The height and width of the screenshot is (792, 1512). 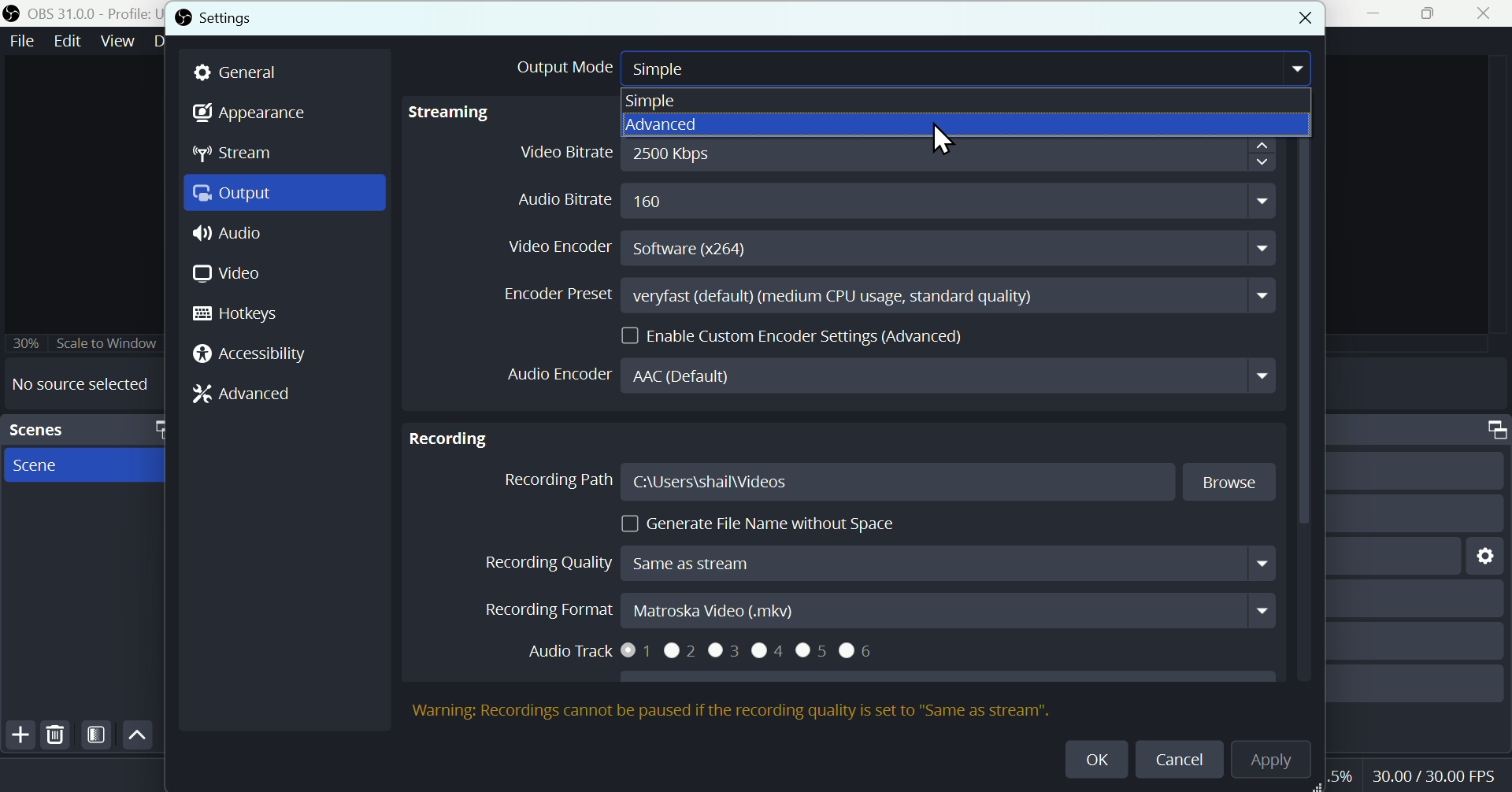 What do you see at coordinates (872, 200) in the screenshot?
I see `Autobitrate` at bounding box center [872, 200].